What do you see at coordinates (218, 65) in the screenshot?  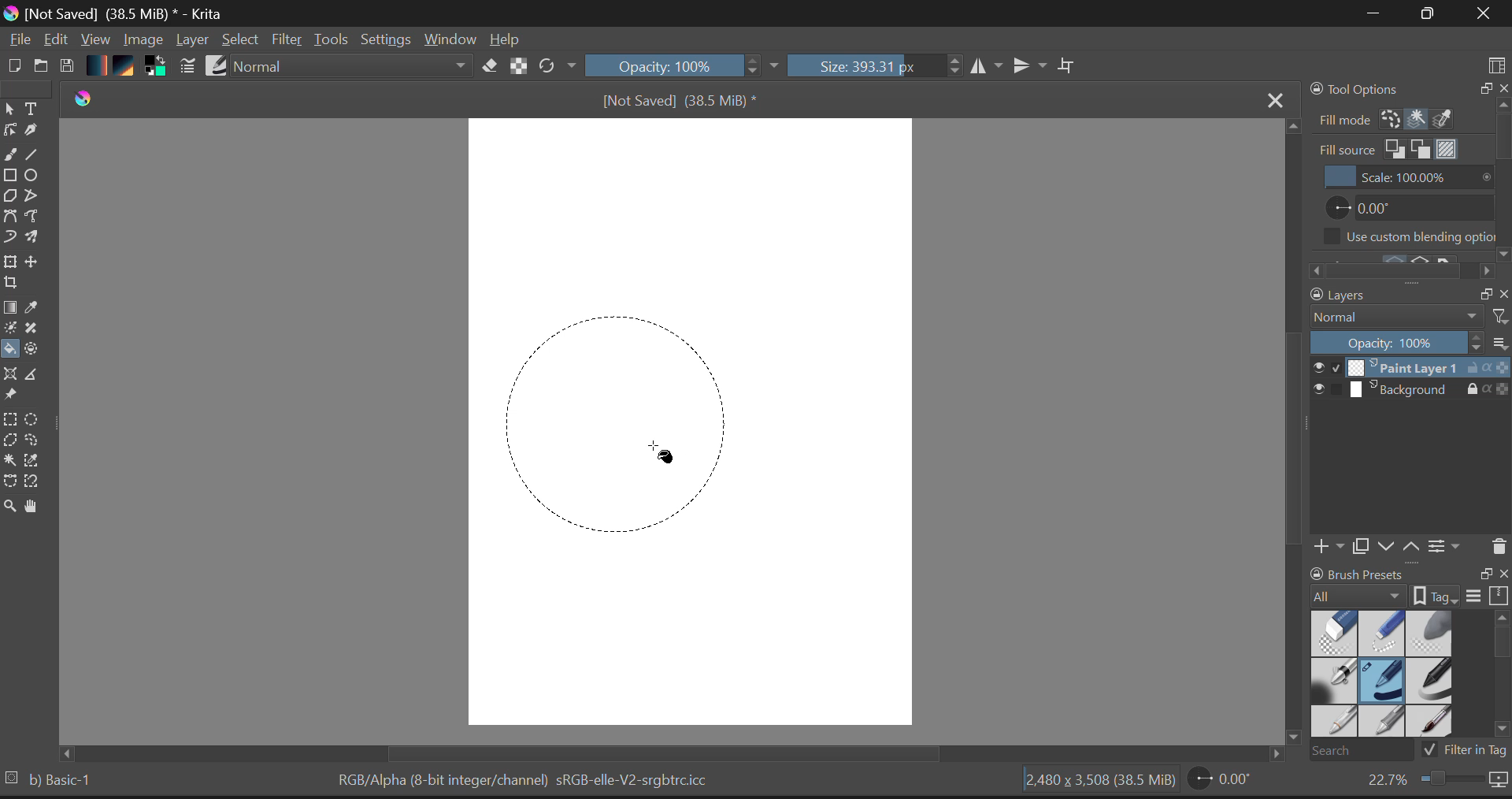 I see `Brush Presets` at bounding box center [218, 65].